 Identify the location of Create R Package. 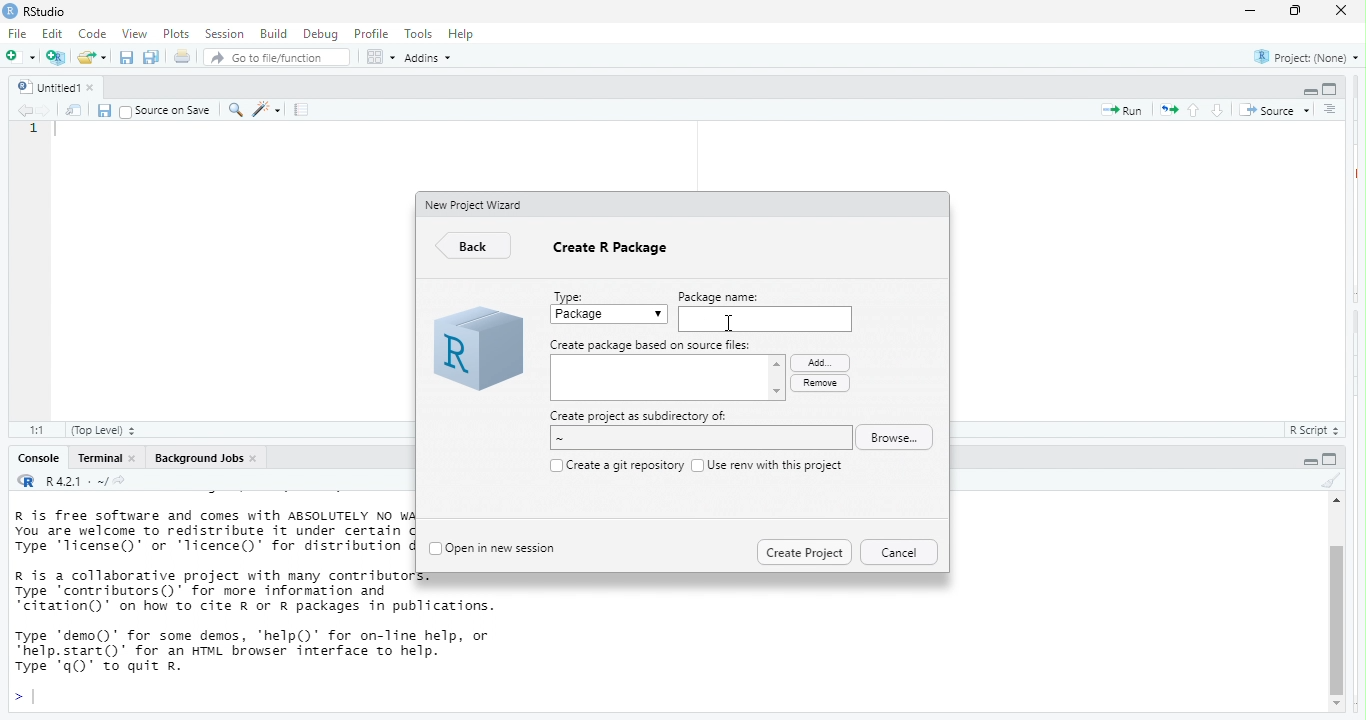
(614, 252).